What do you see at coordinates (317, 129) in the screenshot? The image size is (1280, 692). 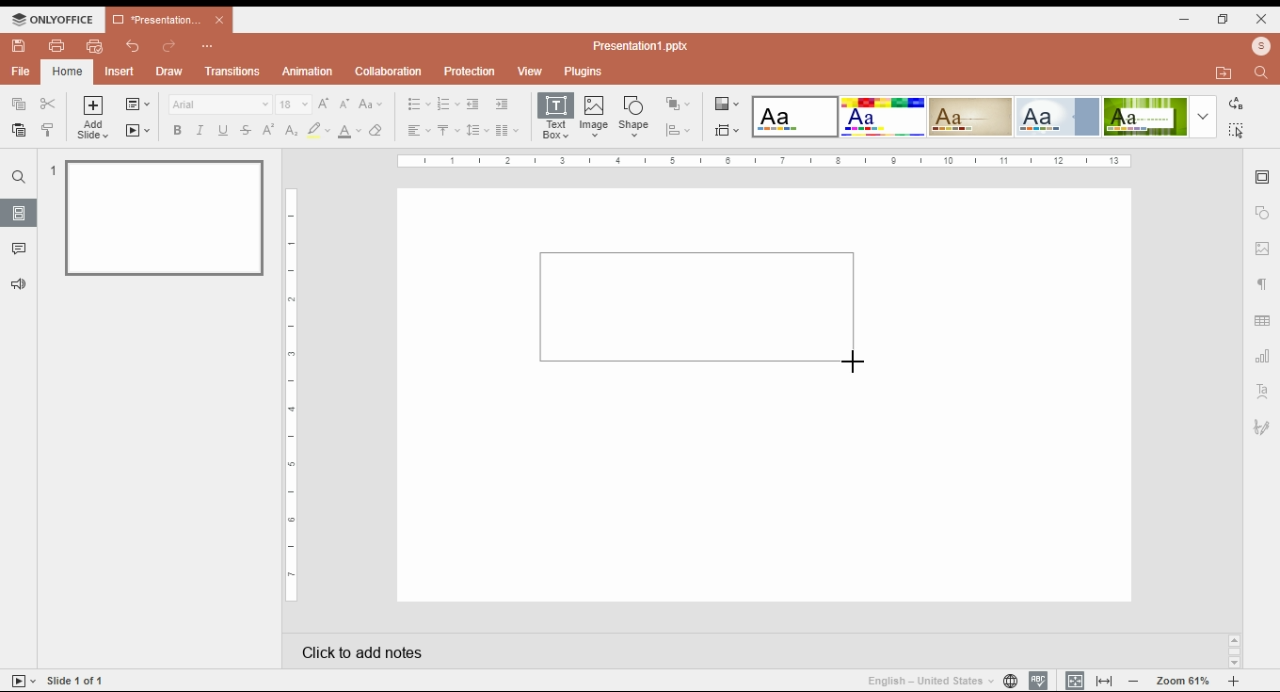 I see `highlight color` at bounding box center [317, 129].